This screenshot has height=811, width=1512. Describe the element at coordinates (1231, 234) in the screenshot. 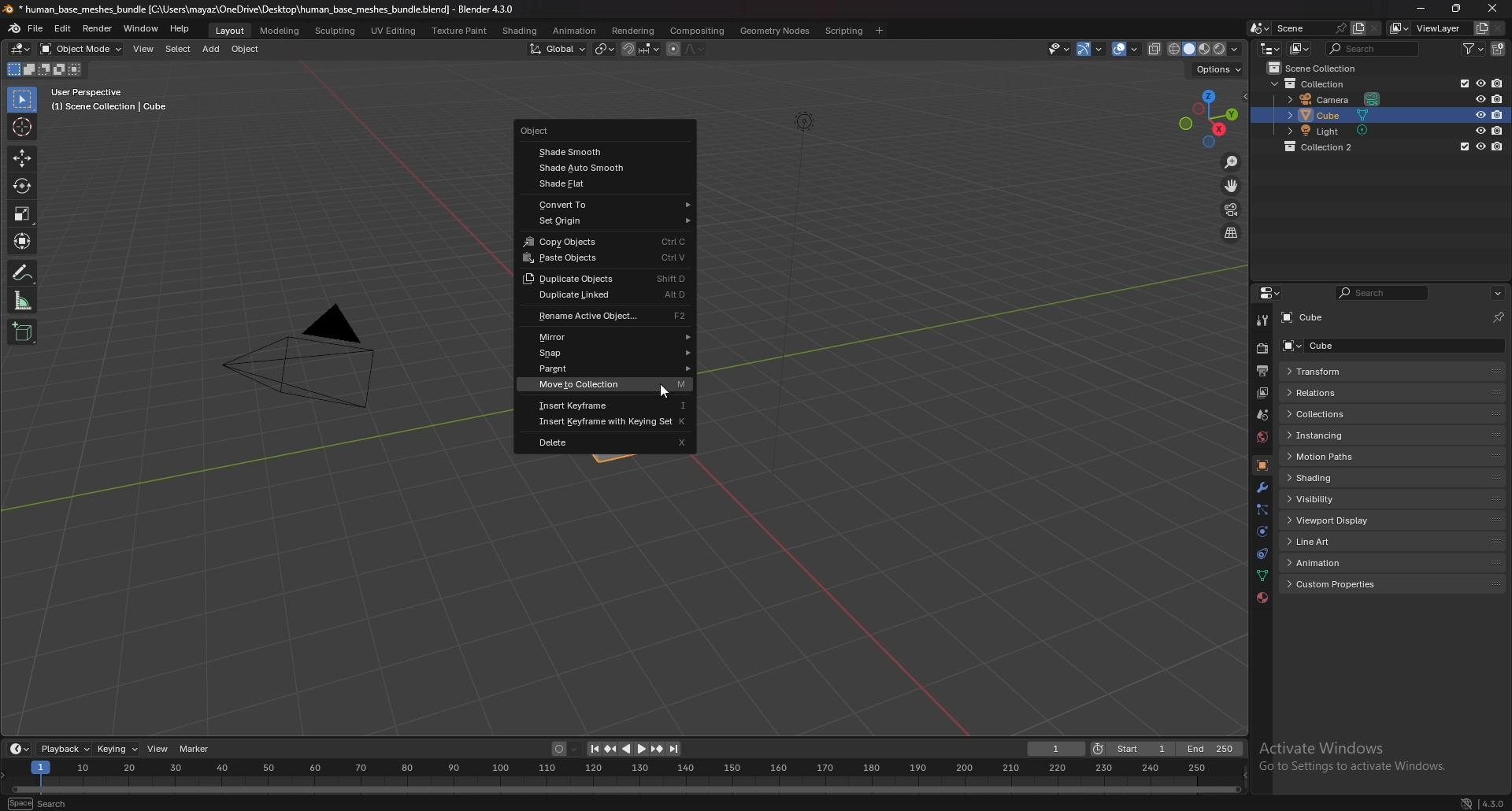

I see `switch view from perspective/orthographic` at that location.